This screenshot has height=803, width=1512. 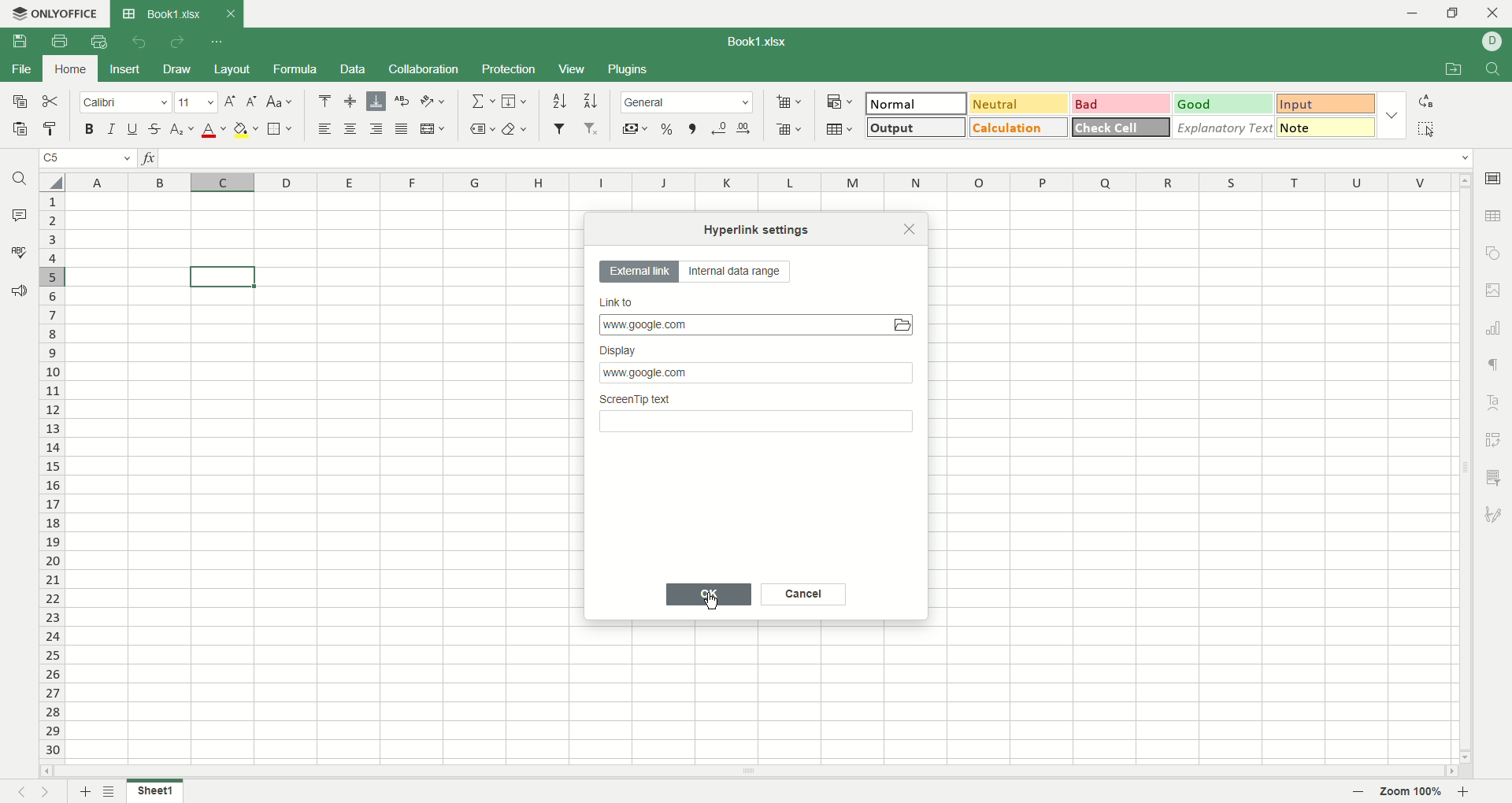 I want to click on insert, so click(x=126, y=68).